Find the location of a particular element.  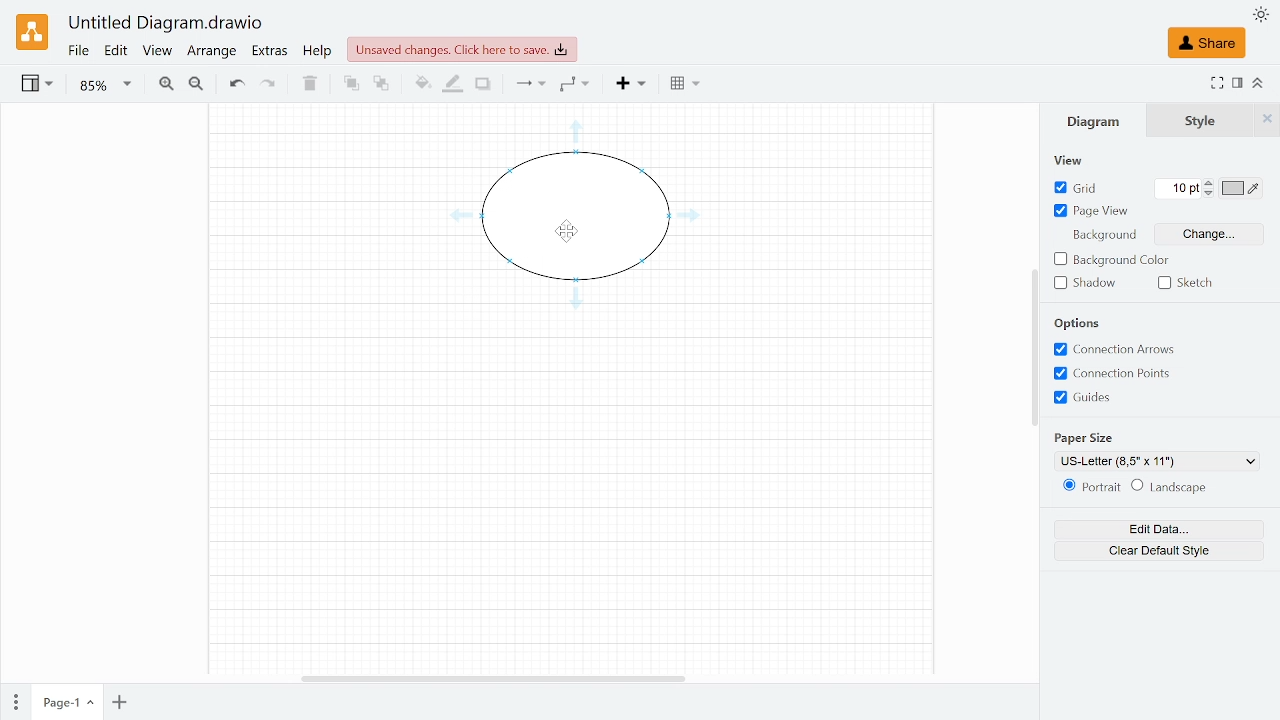

Extras is located at coordinates (270, 52).